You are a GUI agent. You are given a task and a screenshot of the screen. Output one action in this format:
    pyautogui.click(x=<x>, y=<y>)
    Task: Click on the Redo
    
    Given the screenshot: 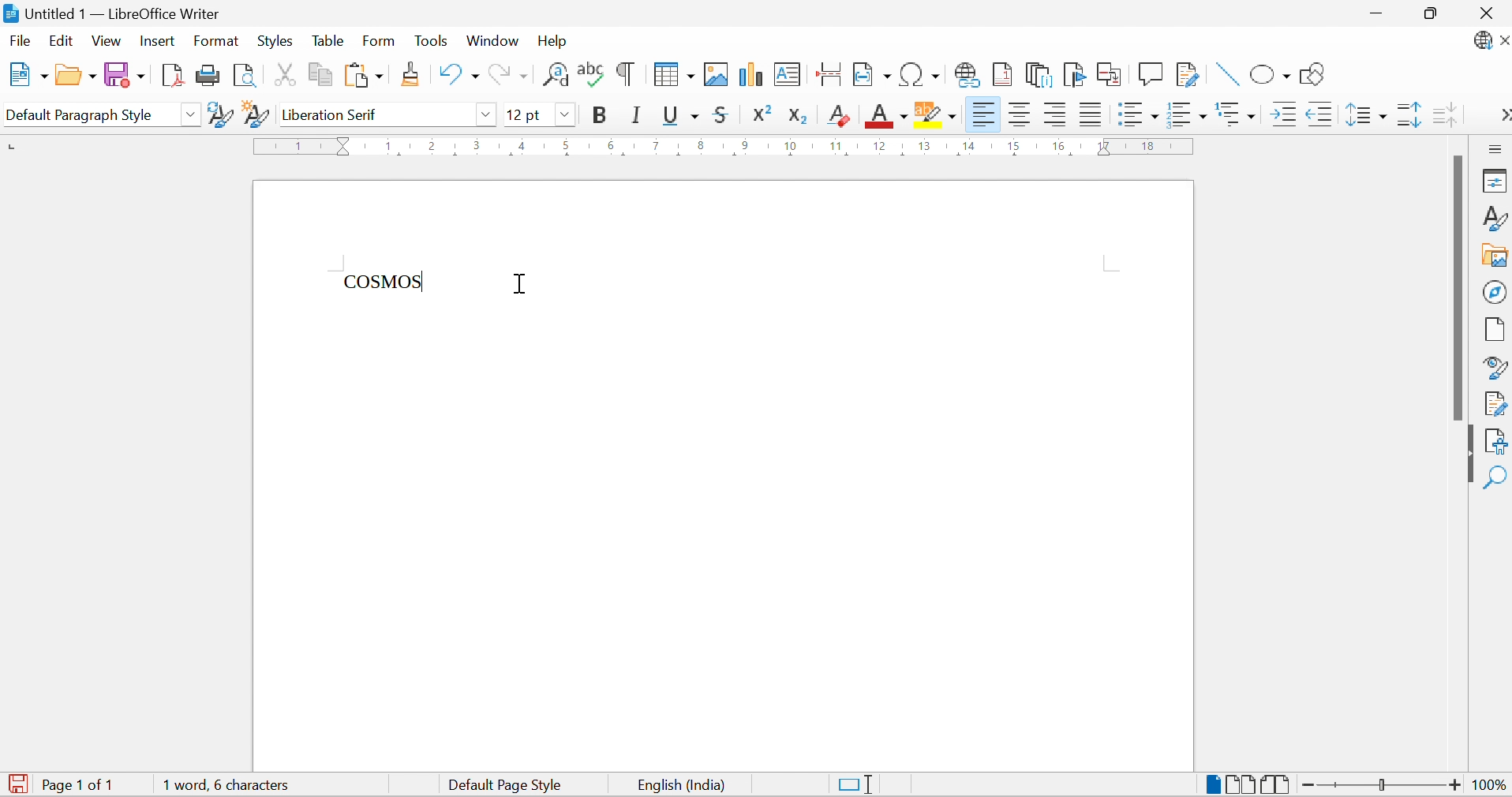 What is the action you would take?
    pyautogui.click(x=507, y=73)
    